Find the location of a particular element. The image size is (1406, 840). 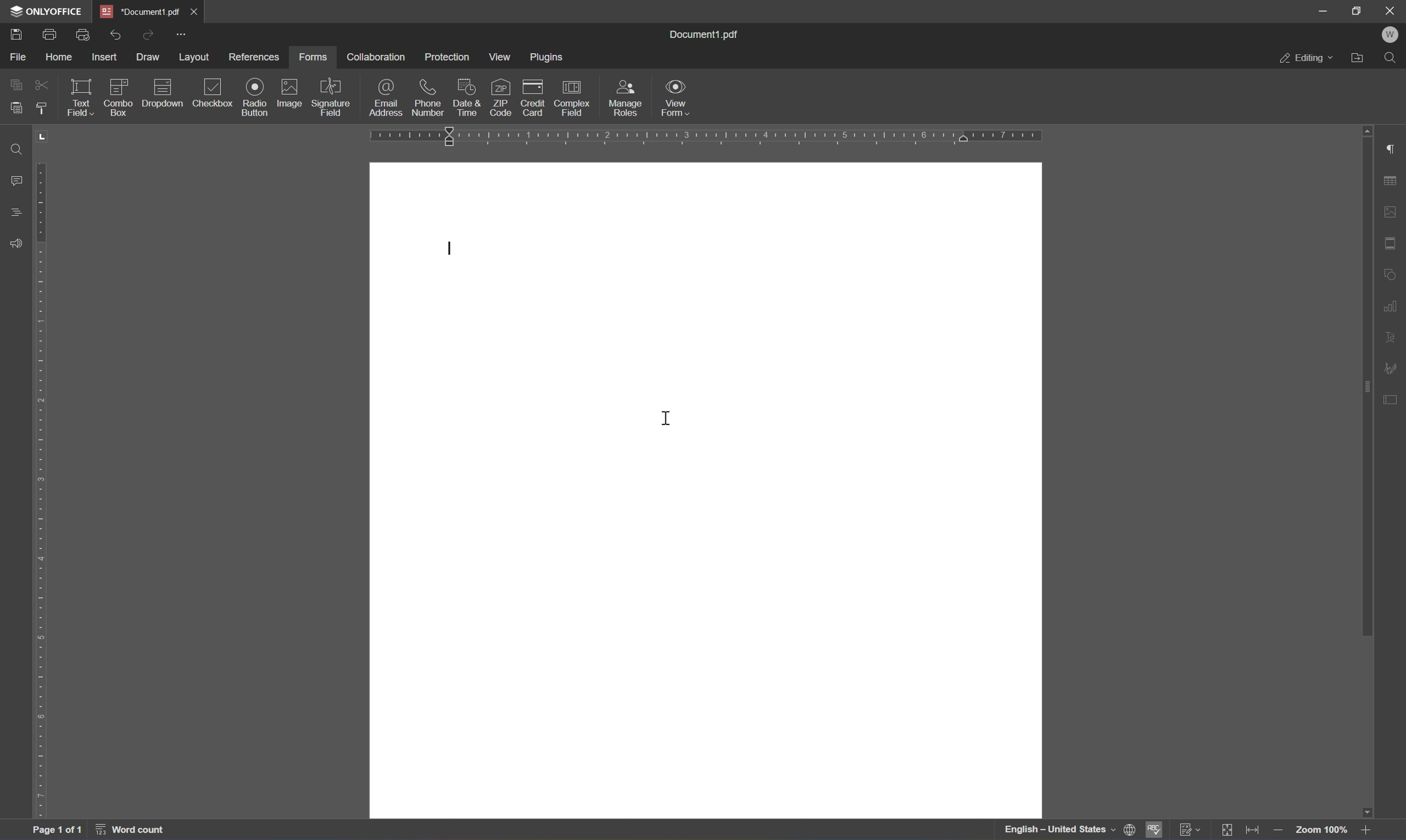

zoom 100% is located at coordinates (1326, 831).